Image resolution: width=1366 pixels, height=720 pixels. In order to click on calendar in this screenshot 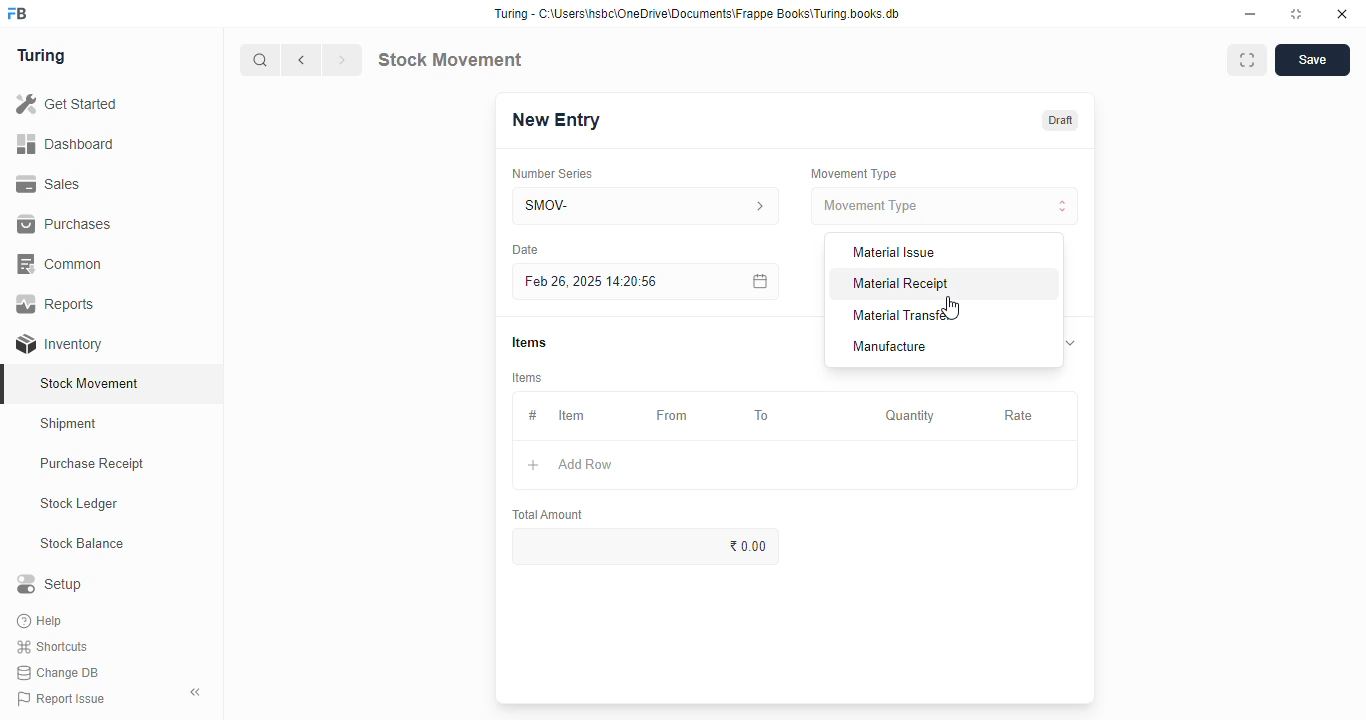, I will do `click(758, 281)`.